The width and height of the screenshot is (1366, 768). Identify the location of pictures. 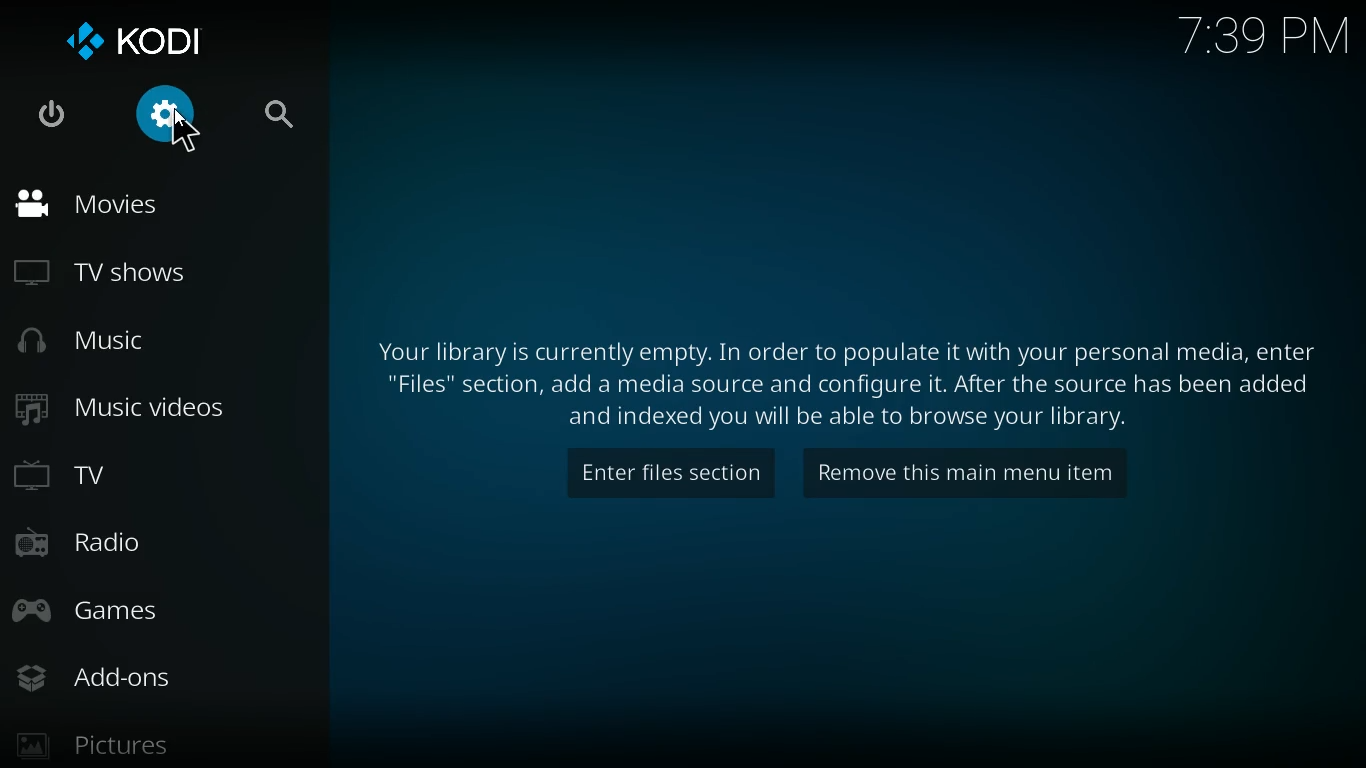
(115, 740).